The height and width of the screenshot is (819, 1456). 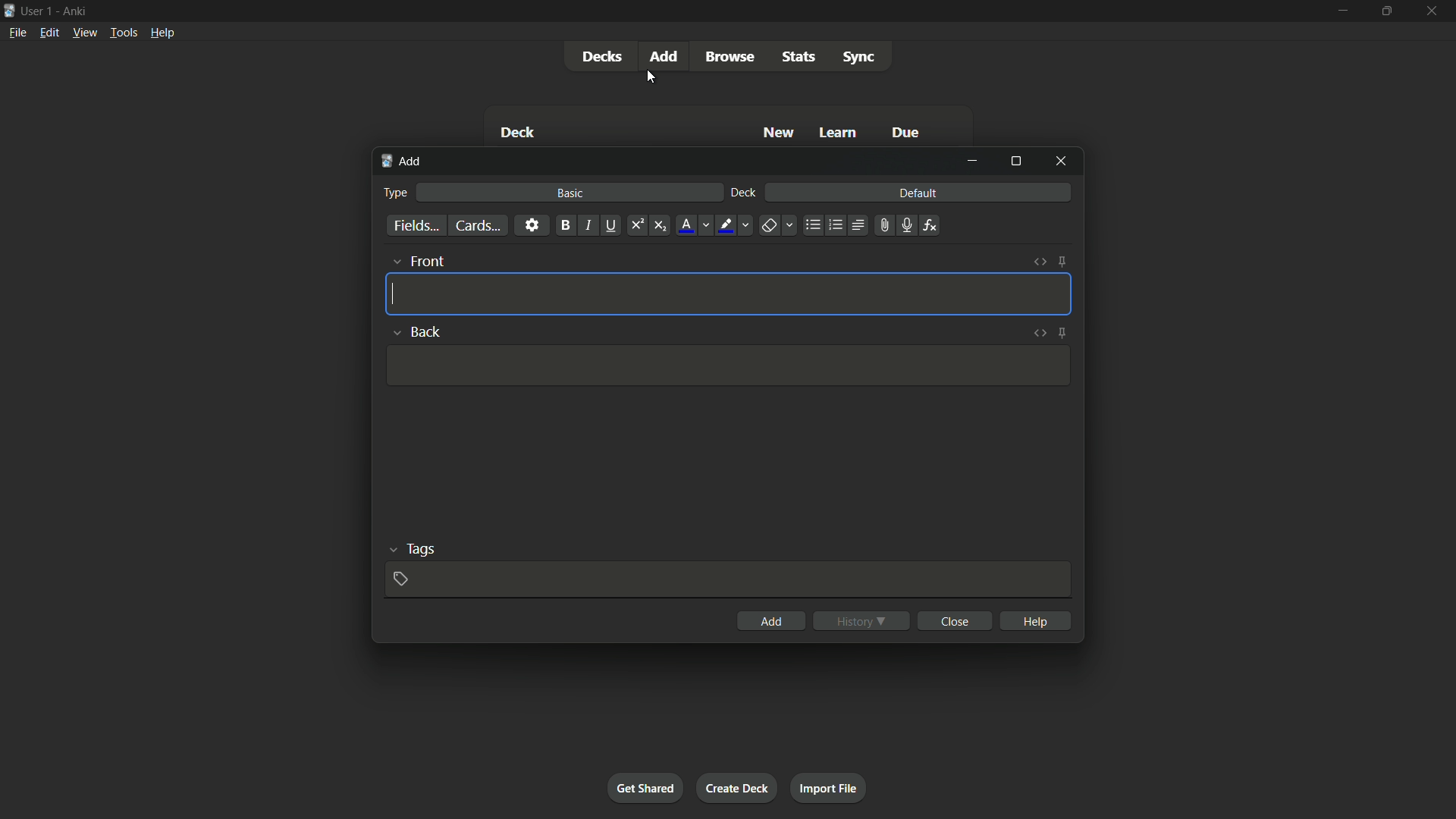 I want to click on back, so click(x=428, y=332).